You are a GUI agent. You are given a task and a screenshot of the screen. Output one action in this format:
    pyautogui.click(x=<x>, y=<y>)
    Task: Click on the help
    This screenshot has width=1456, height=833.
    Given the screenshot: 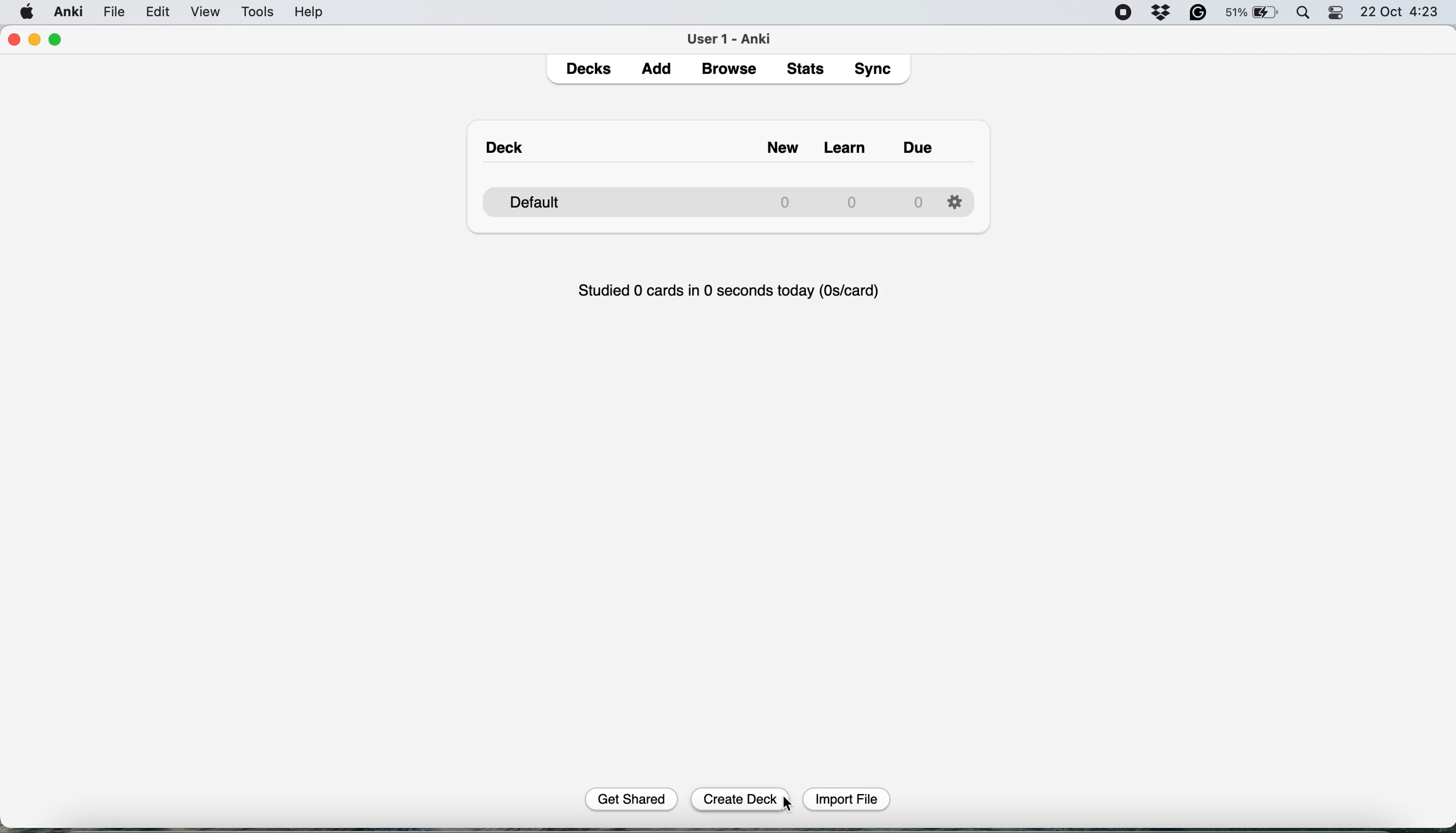 What is the action you would take?
    pyautogui.click(x=309, y=14)
    